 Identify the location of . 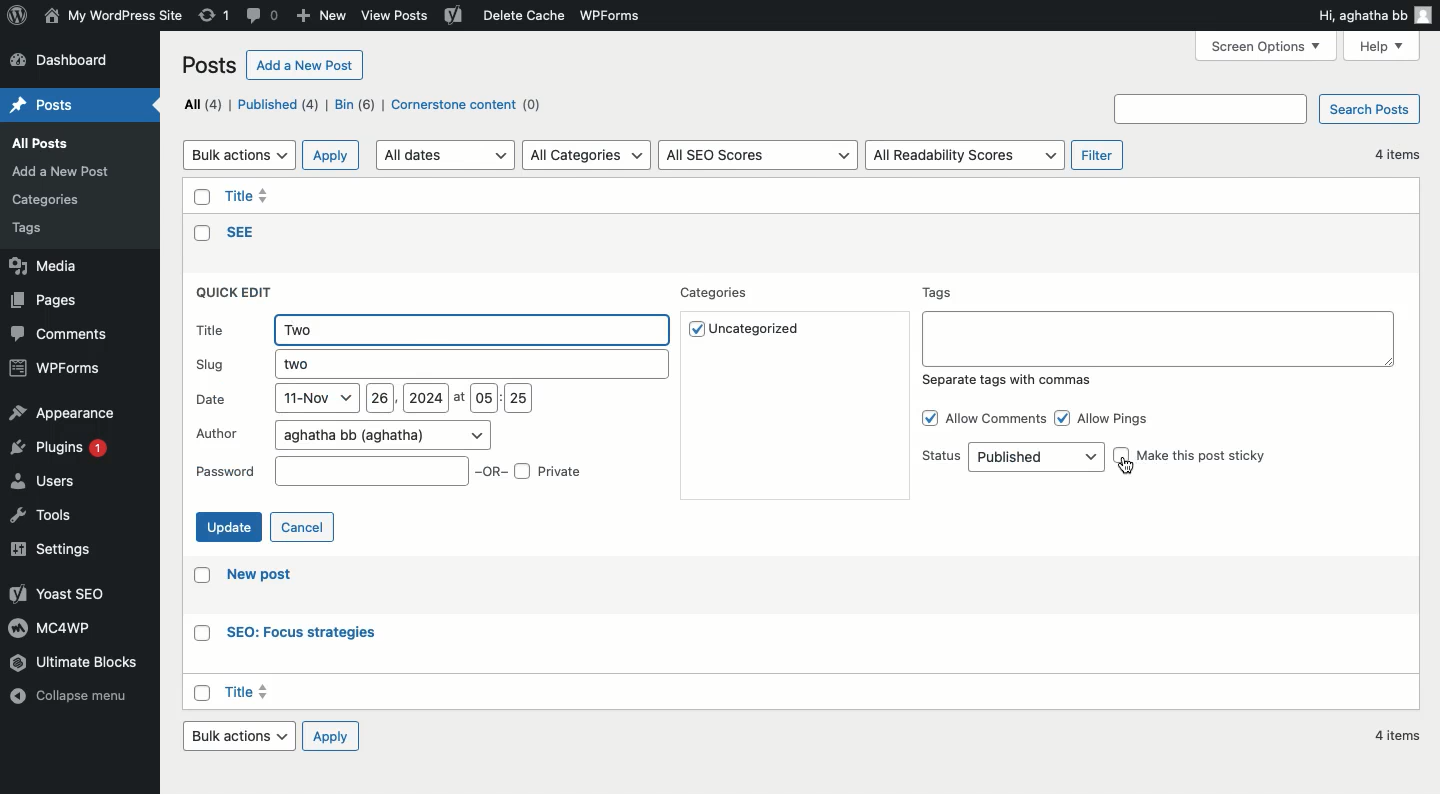
(244, 234).